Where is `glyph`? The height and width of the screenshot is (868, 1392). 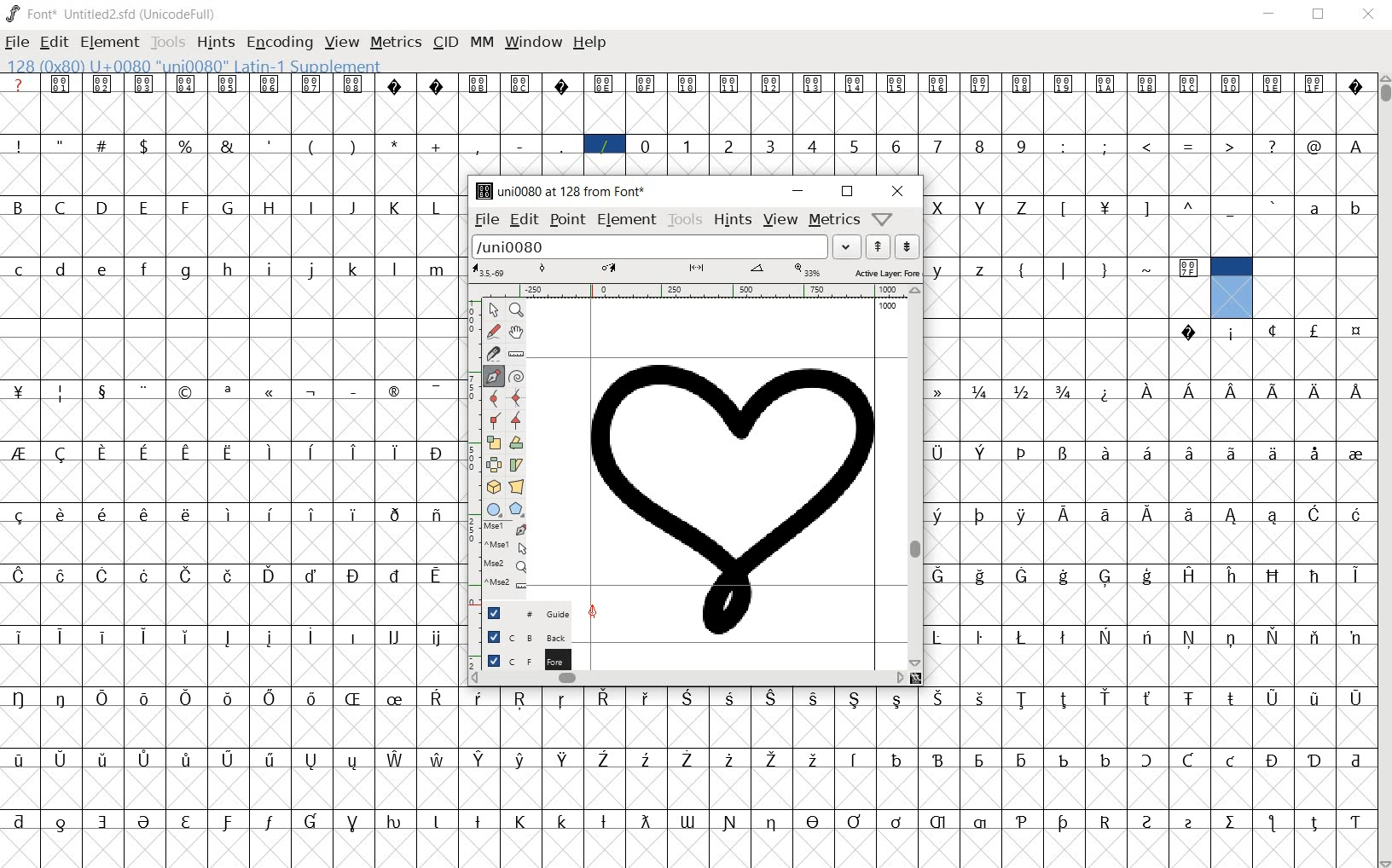 glyph is located at coordinates (1314, 576).